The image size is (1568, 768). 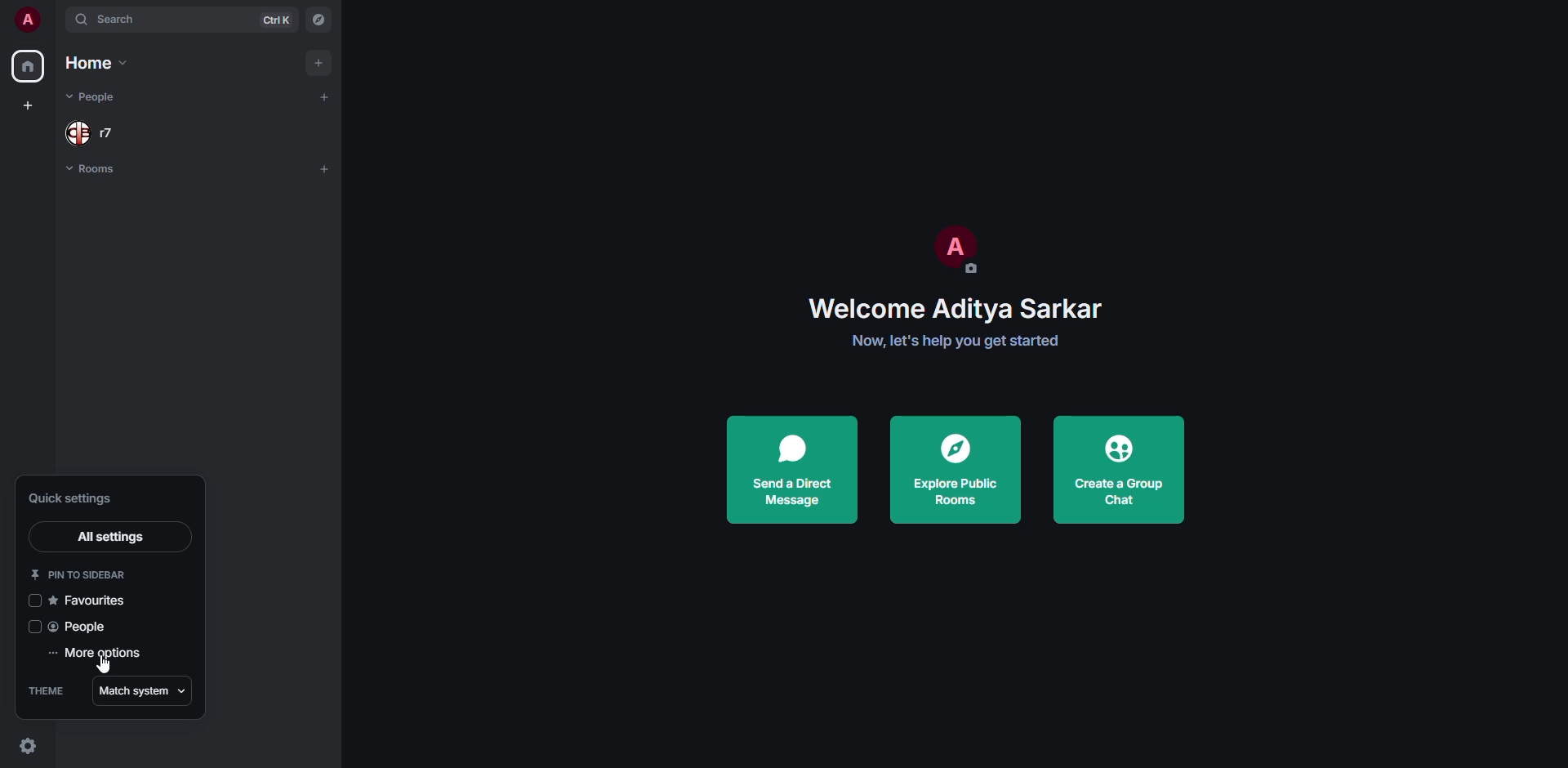 What do you see at coordinates (960, 250) in the screenshot?
I see `profile` at bounding box center [960, 250].